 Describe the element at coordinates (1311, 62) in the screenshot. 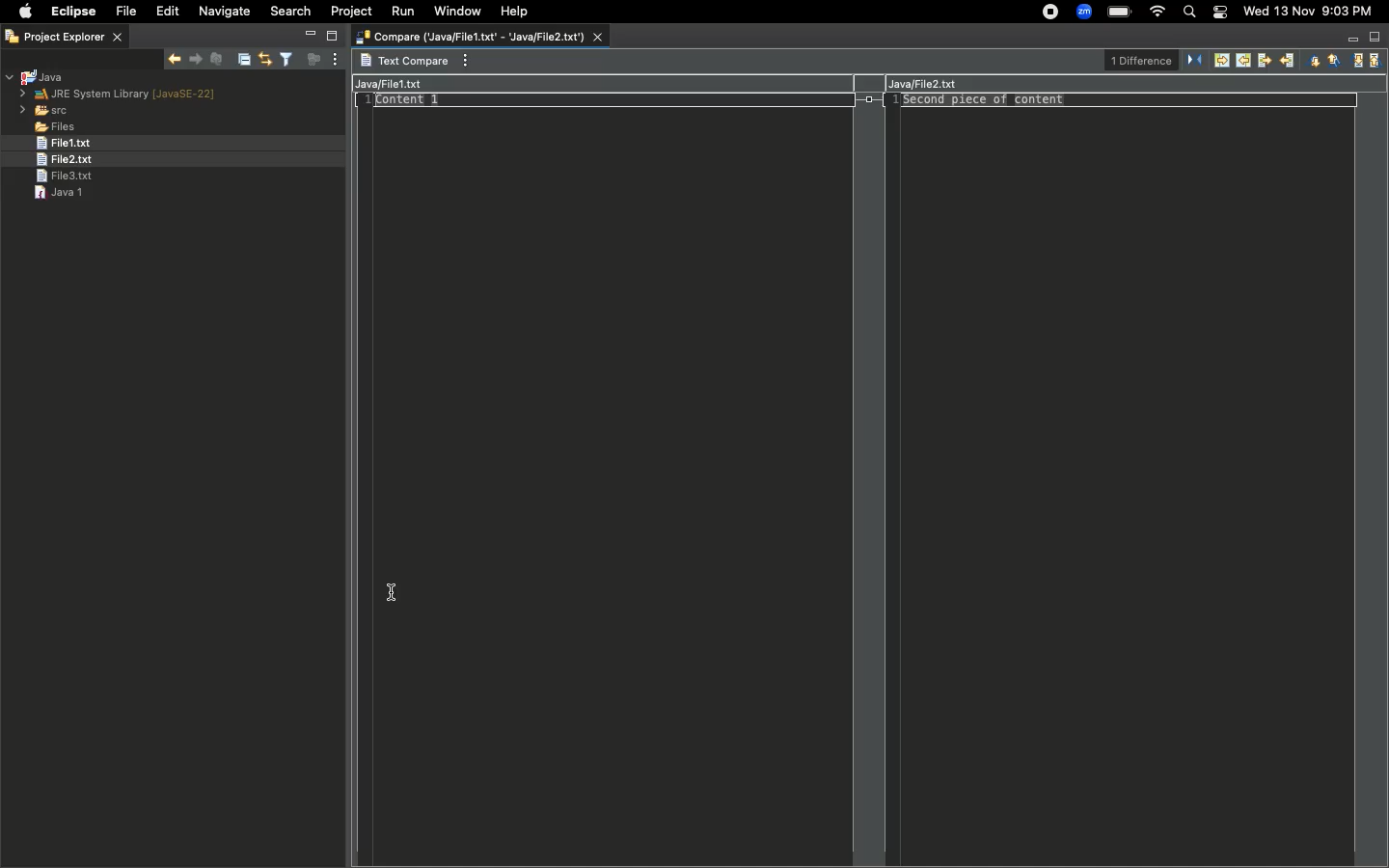

I see `Next difference` at that location.